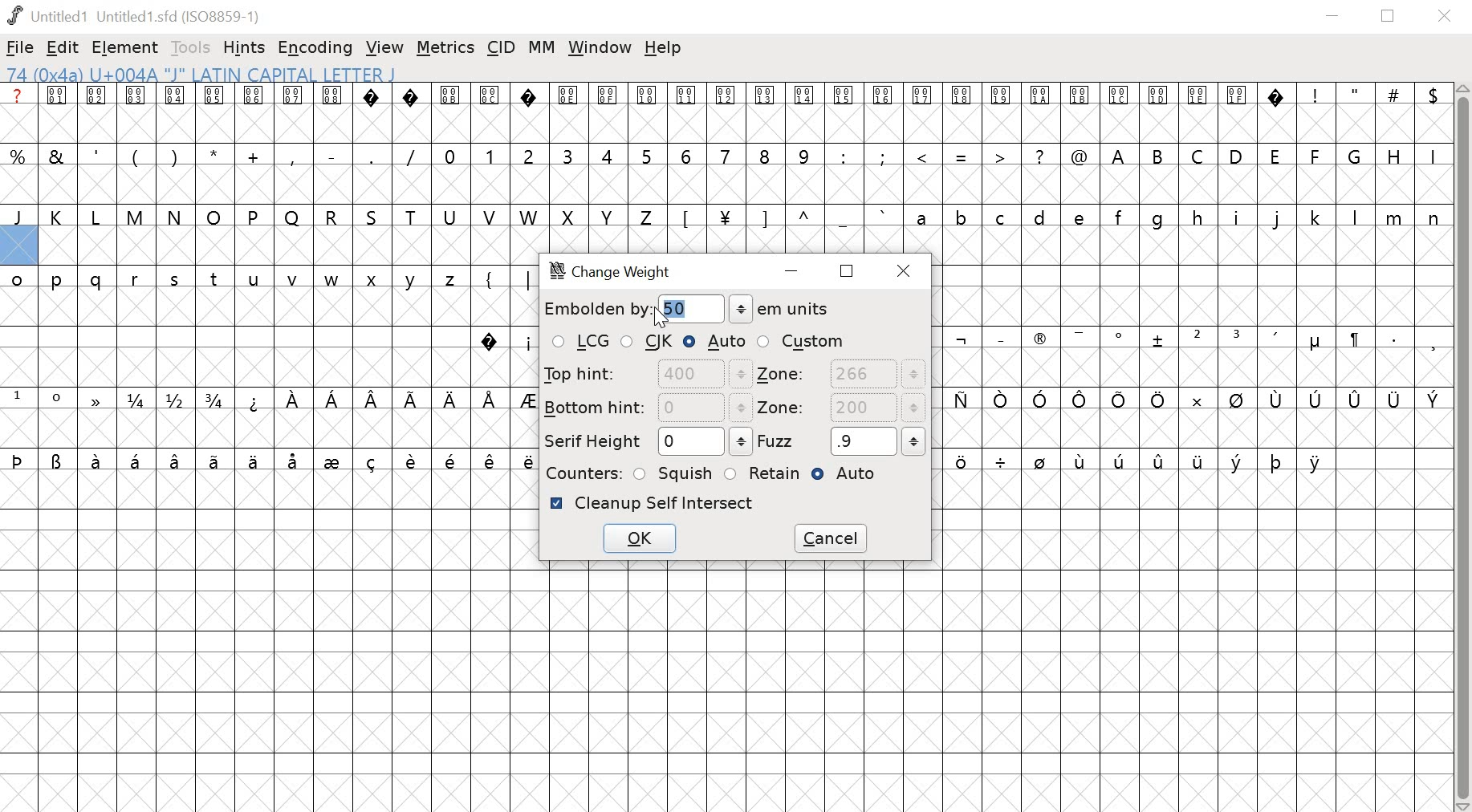  What do you see at coordinates (802, 341) in the screenshot?
I see `CUSTOM` at bounding box center [802, 341].